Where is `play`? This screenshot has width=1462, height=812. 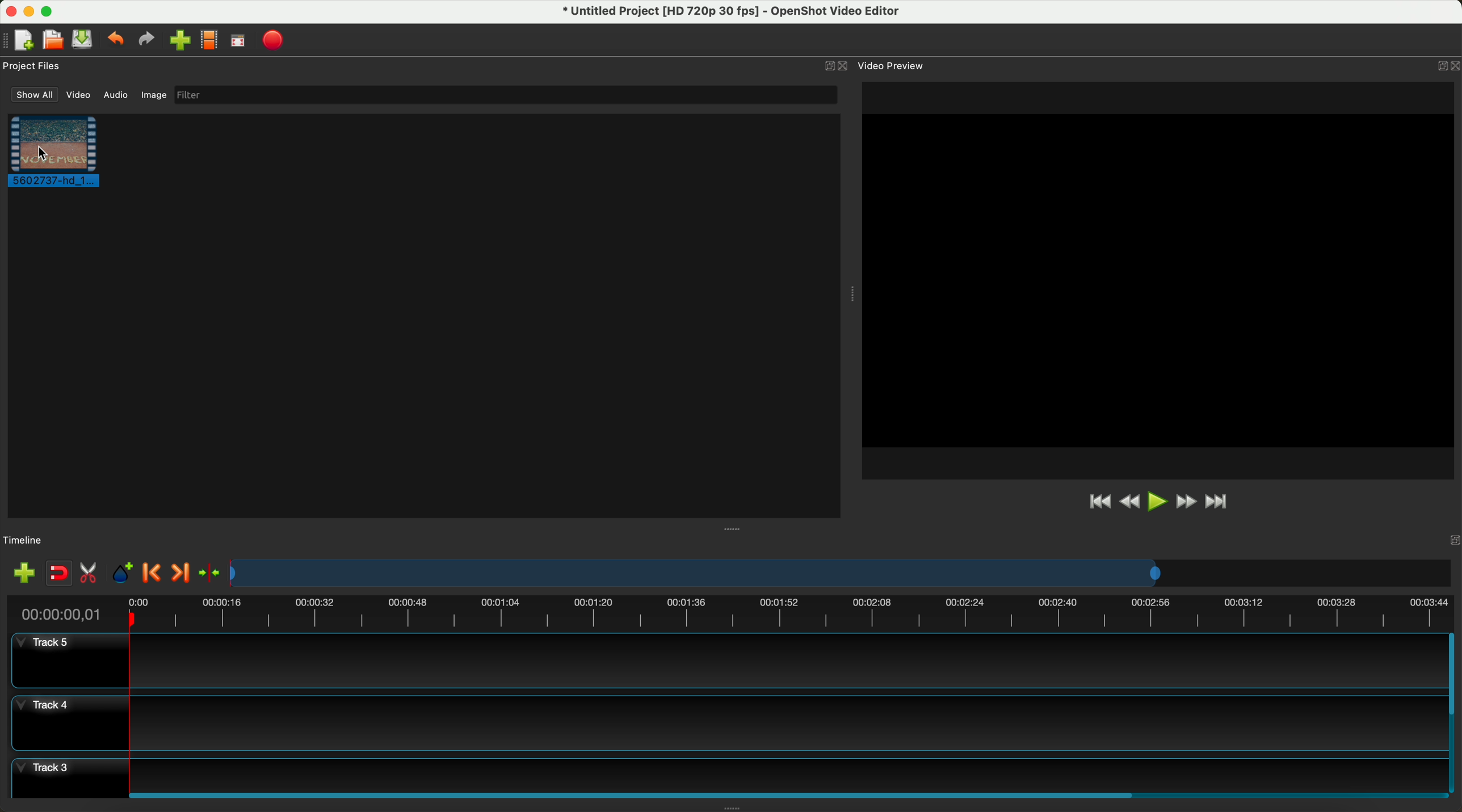
play is located at coordinates (1156, 502).